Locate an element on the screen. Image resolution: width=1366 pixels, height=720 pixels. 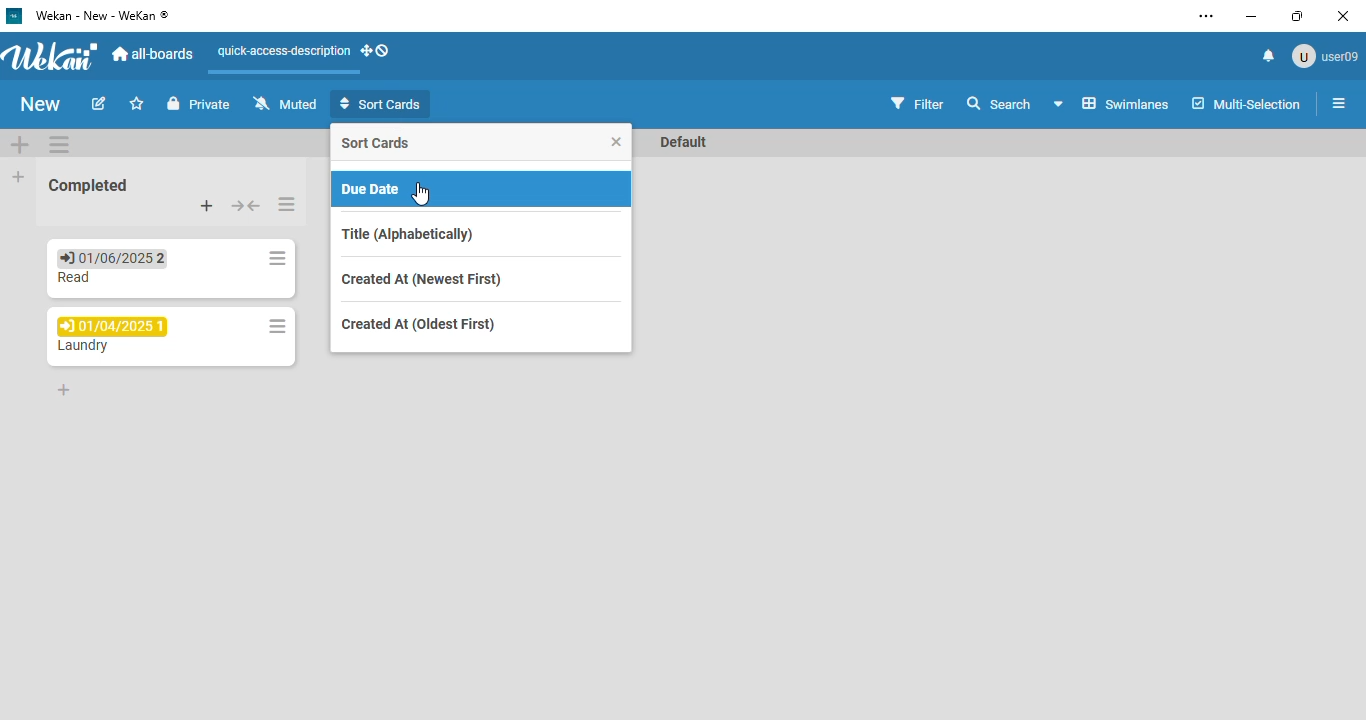
board view is located at coordinates (1113, 103).